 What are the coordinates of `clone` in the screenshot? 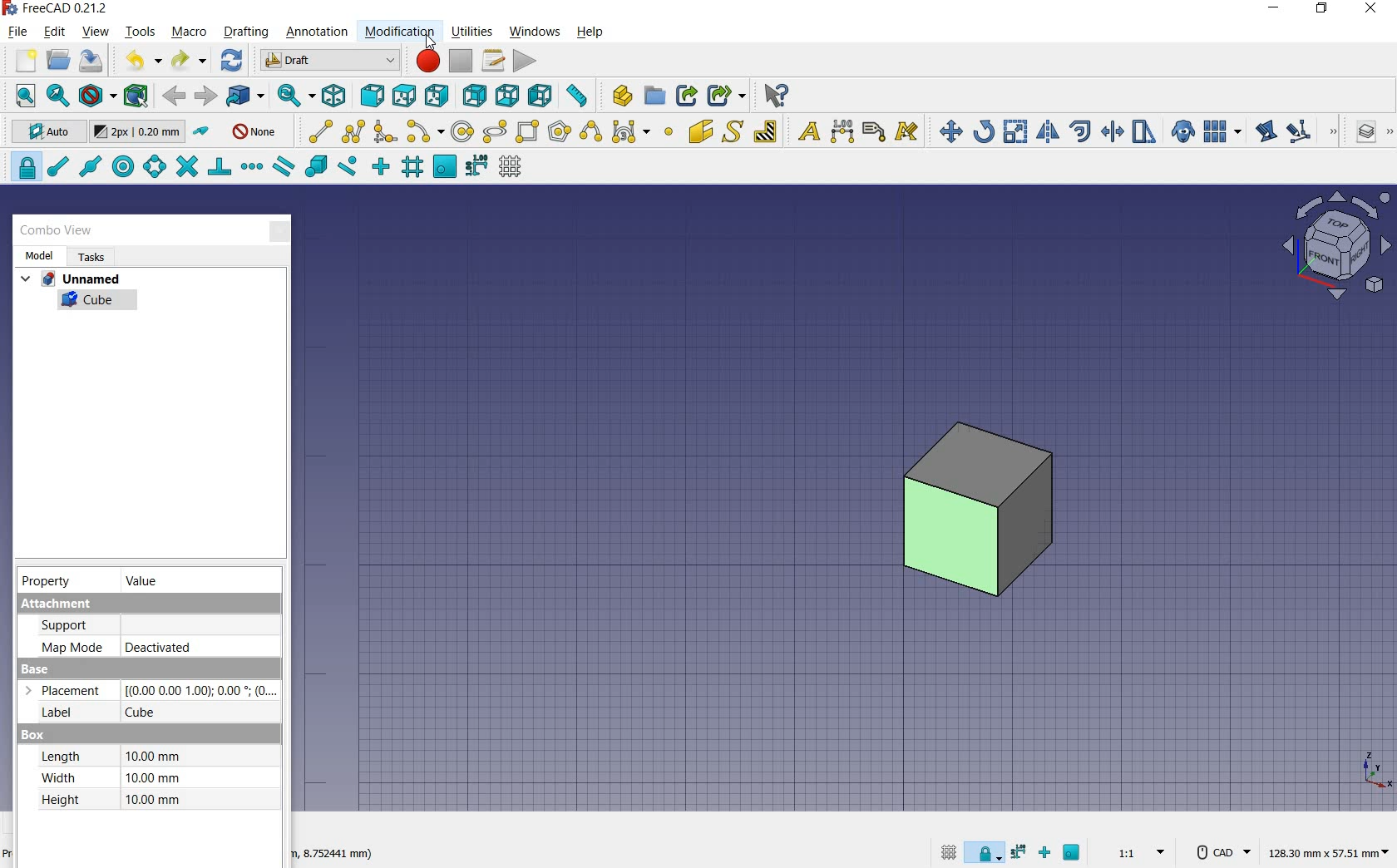 It's located at (1183, 132).